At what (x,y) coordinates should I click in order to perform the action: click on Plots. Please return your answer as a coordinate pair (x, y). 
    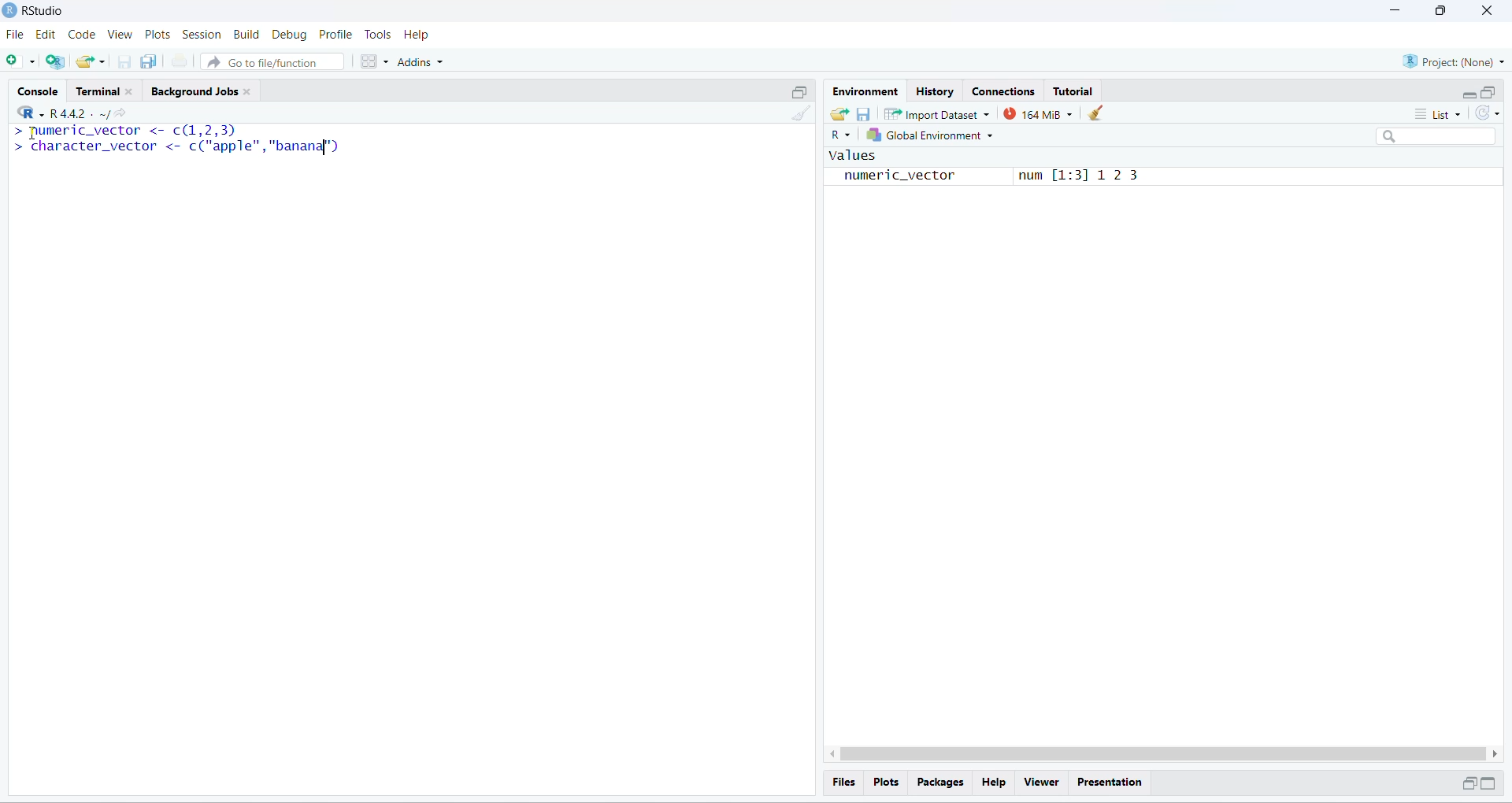
    Looking at the image, I should click on (884, 781).